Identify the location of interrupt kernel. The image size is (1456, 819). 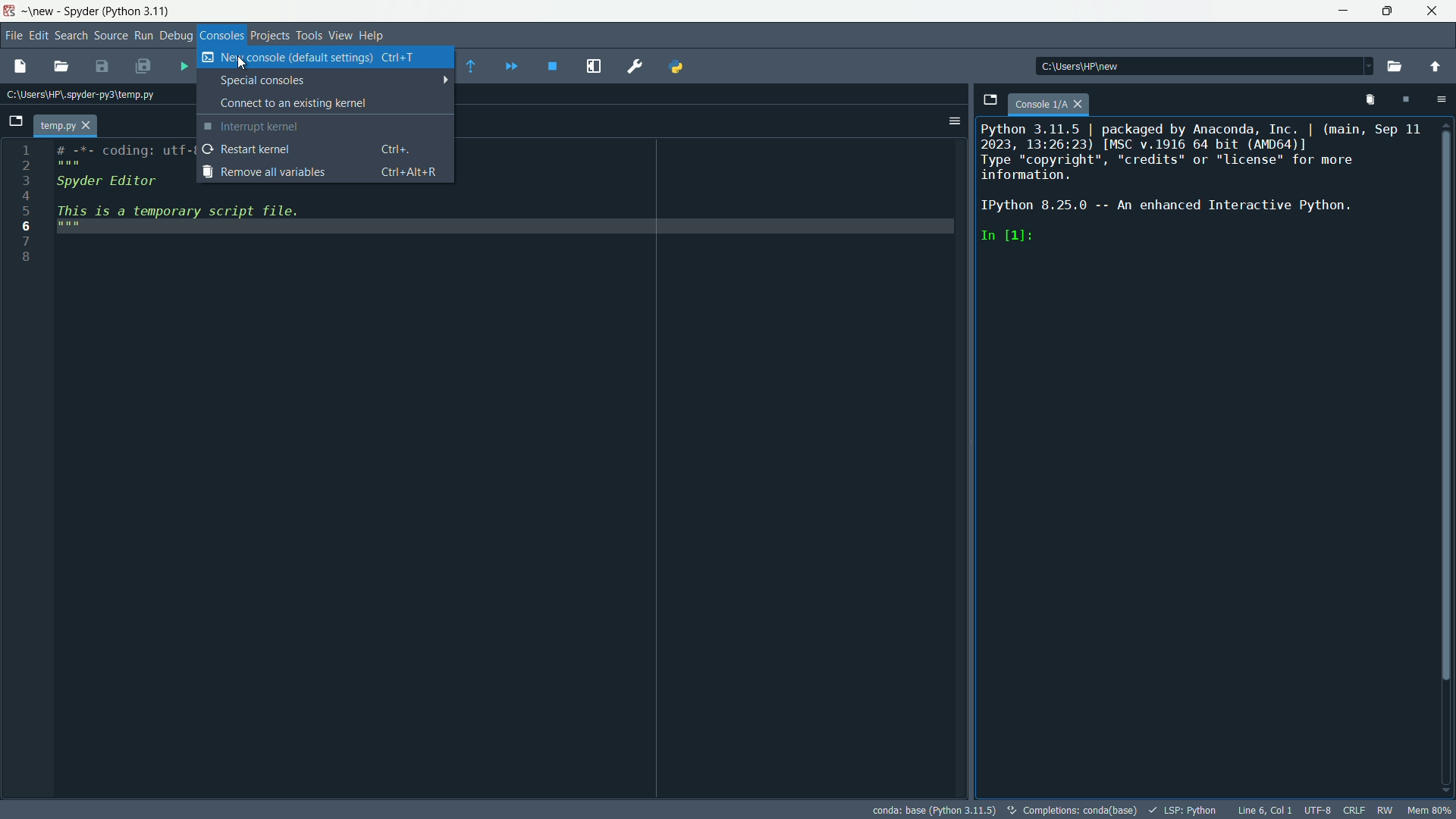
(256, 127).